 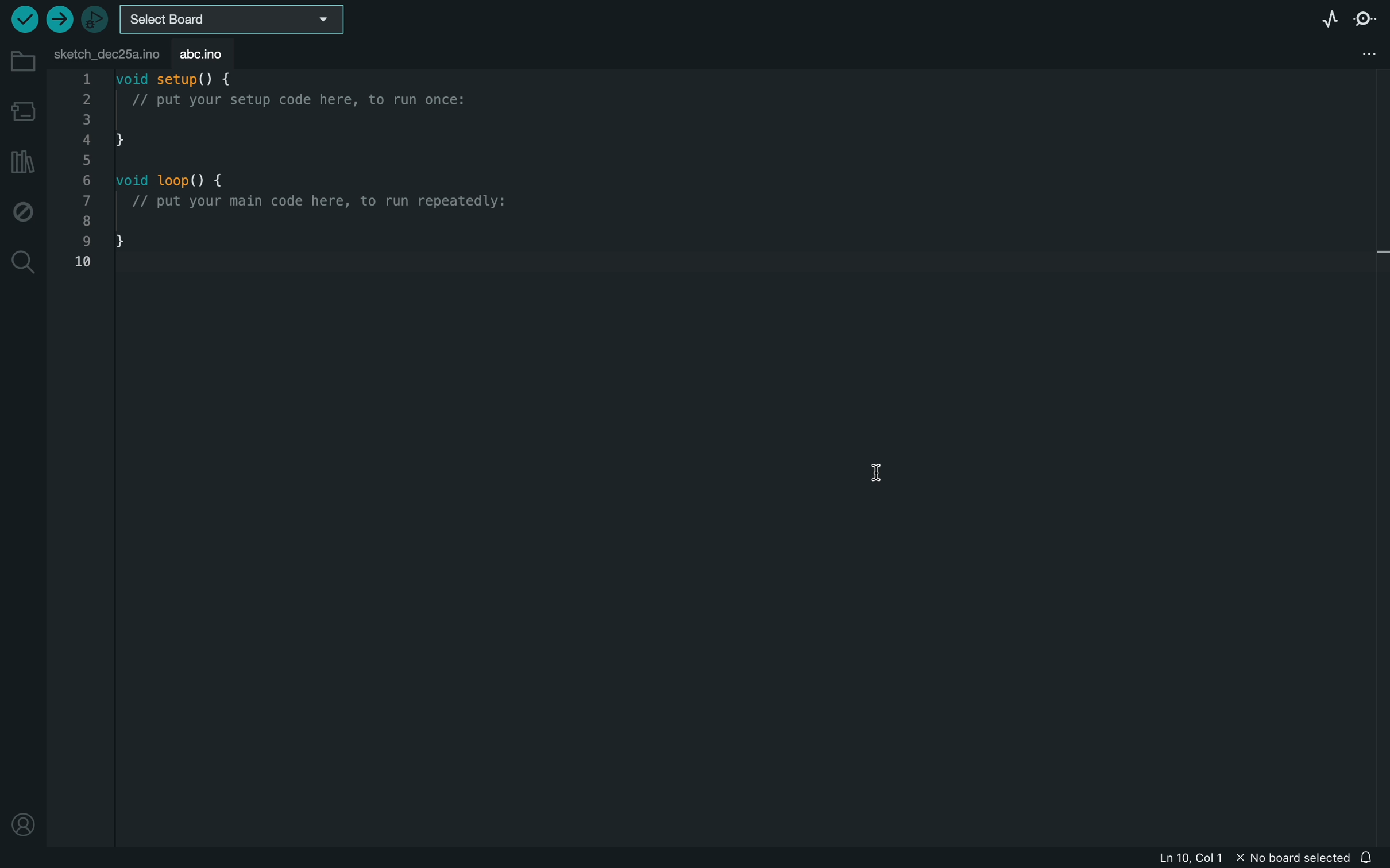 I want to click on serial monitor, so click(x=1364, y=20).